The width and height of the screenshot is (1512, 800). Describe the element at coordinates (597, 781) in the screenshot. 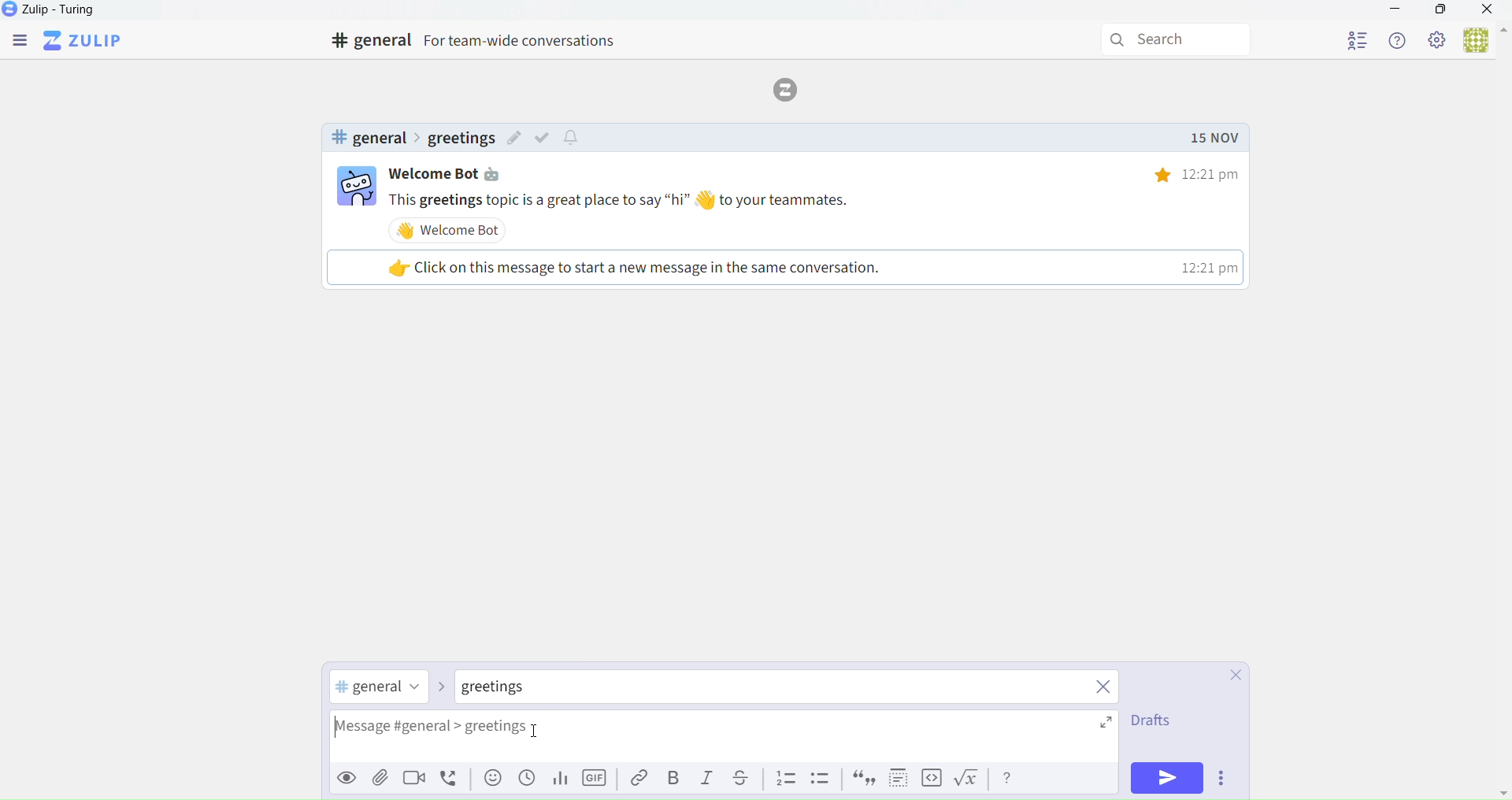

I see `GIF` at that location.